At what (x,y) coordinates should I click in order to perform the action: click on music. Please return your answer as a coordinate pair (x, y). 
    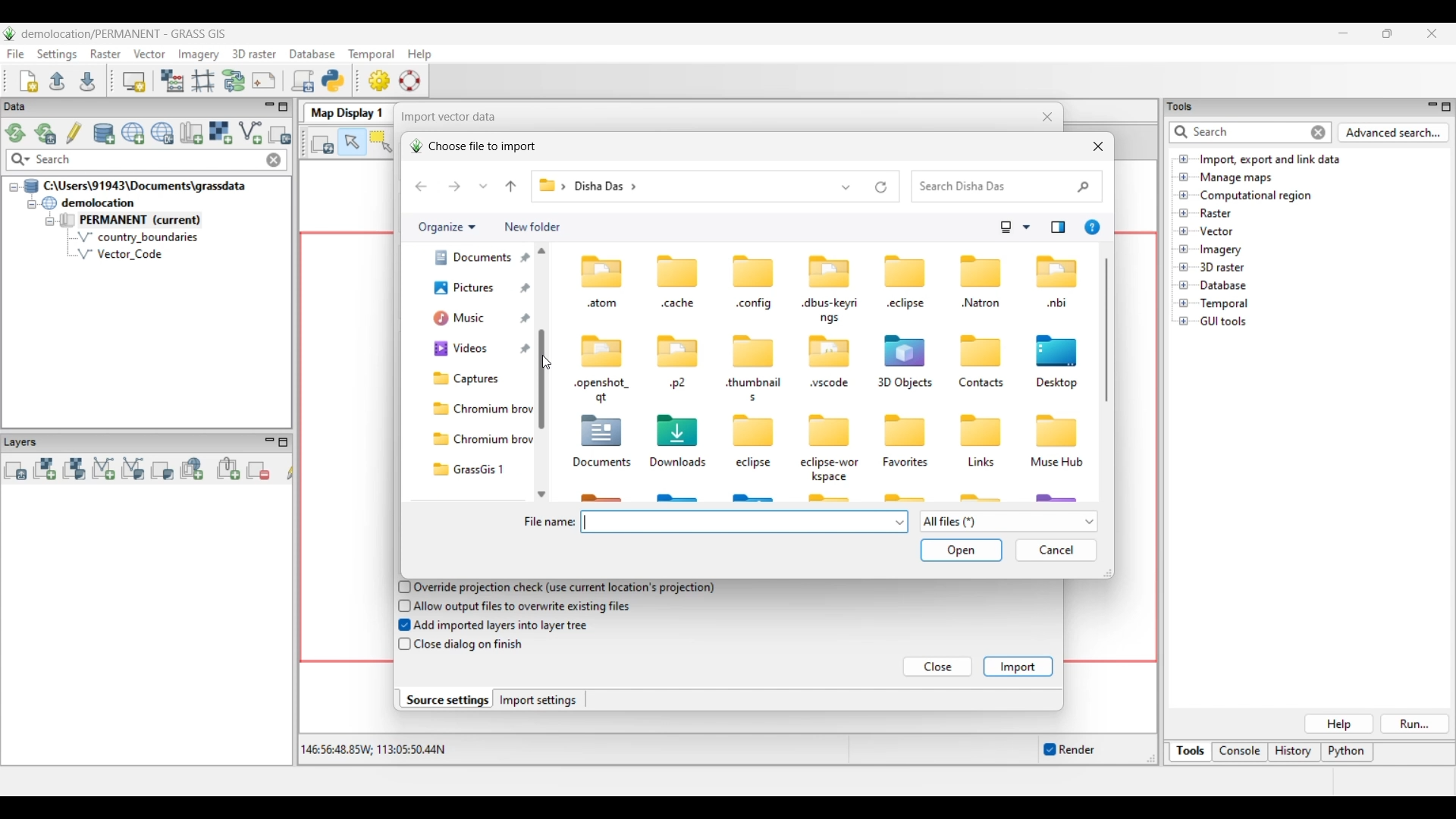
    Looking at the image, I should click on (469, 322).